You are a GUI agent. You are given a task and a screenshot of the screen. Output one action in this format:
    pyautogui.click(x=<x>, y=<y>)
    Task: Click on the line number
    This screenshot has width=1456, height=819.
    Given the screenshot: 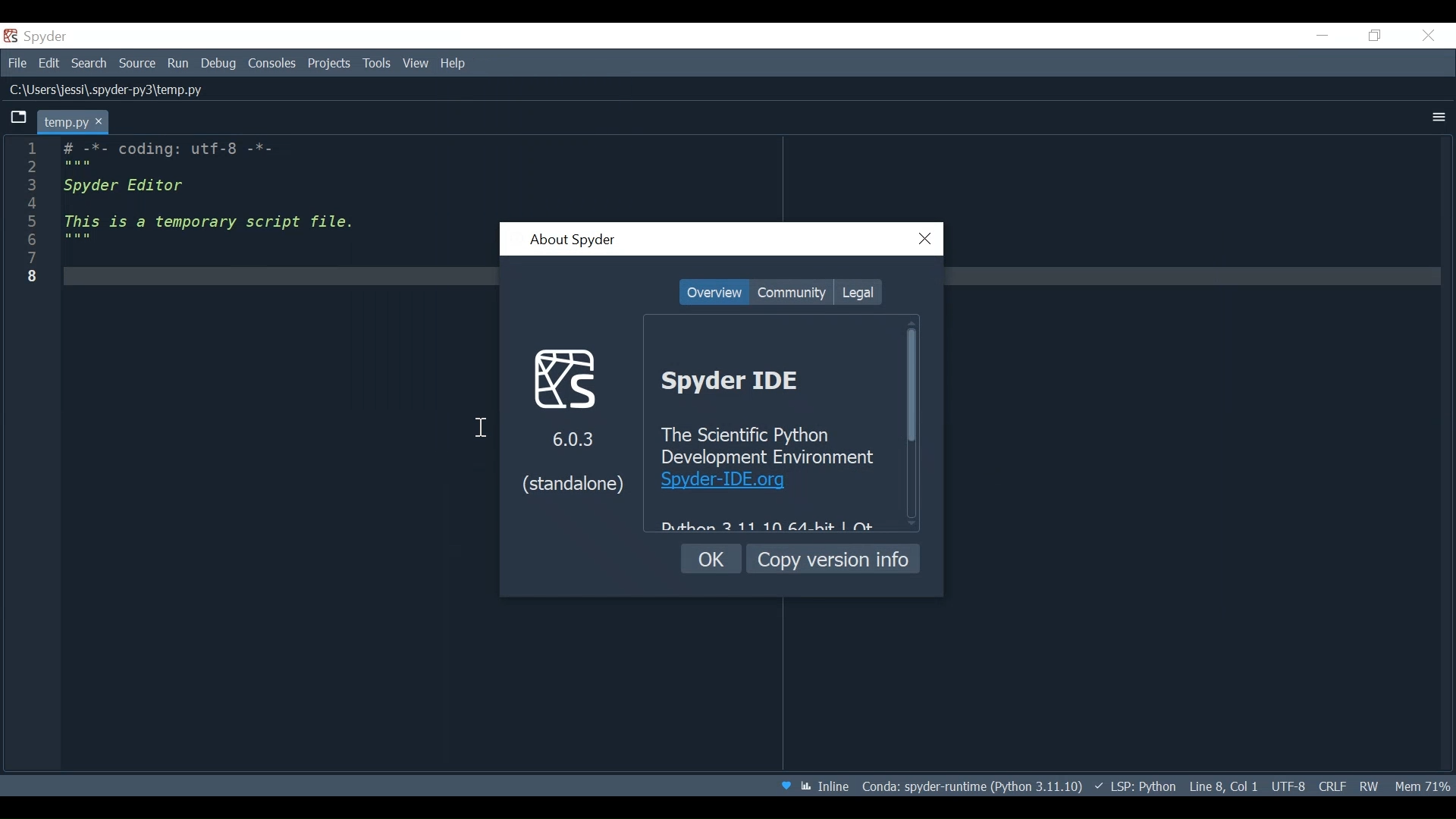 What is the action you would take?
    pyautogui.click(x=30, y=212)
    